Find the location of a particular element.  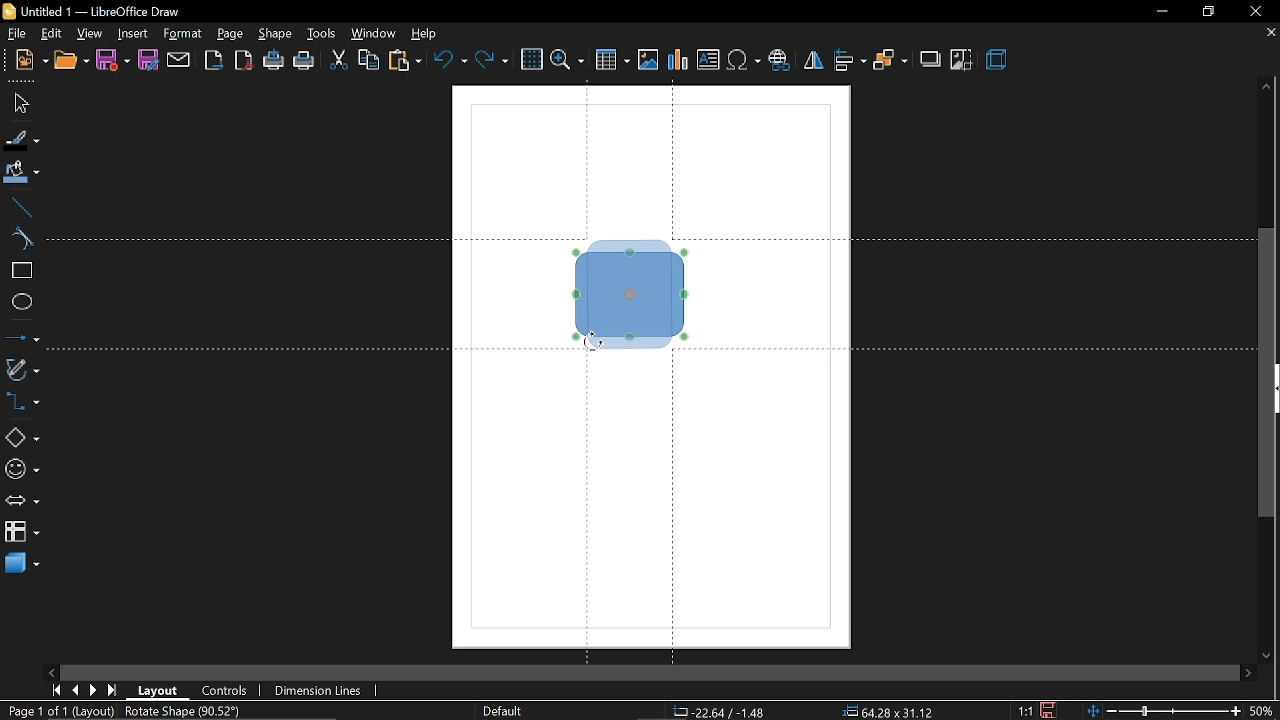

-22.64/-1.48 is located at coordinates (724, 712).